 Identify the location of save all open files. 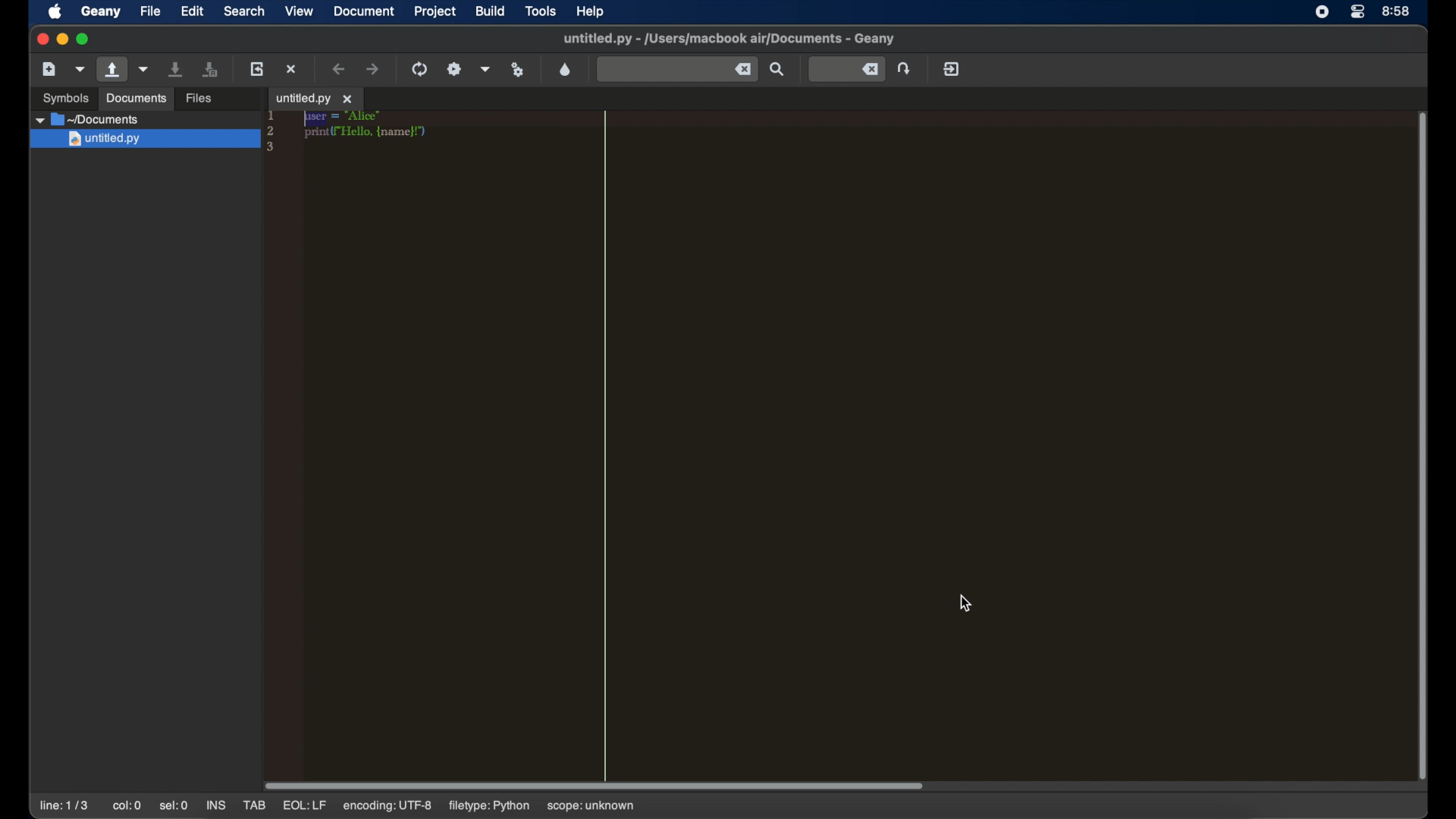
(212, 70).